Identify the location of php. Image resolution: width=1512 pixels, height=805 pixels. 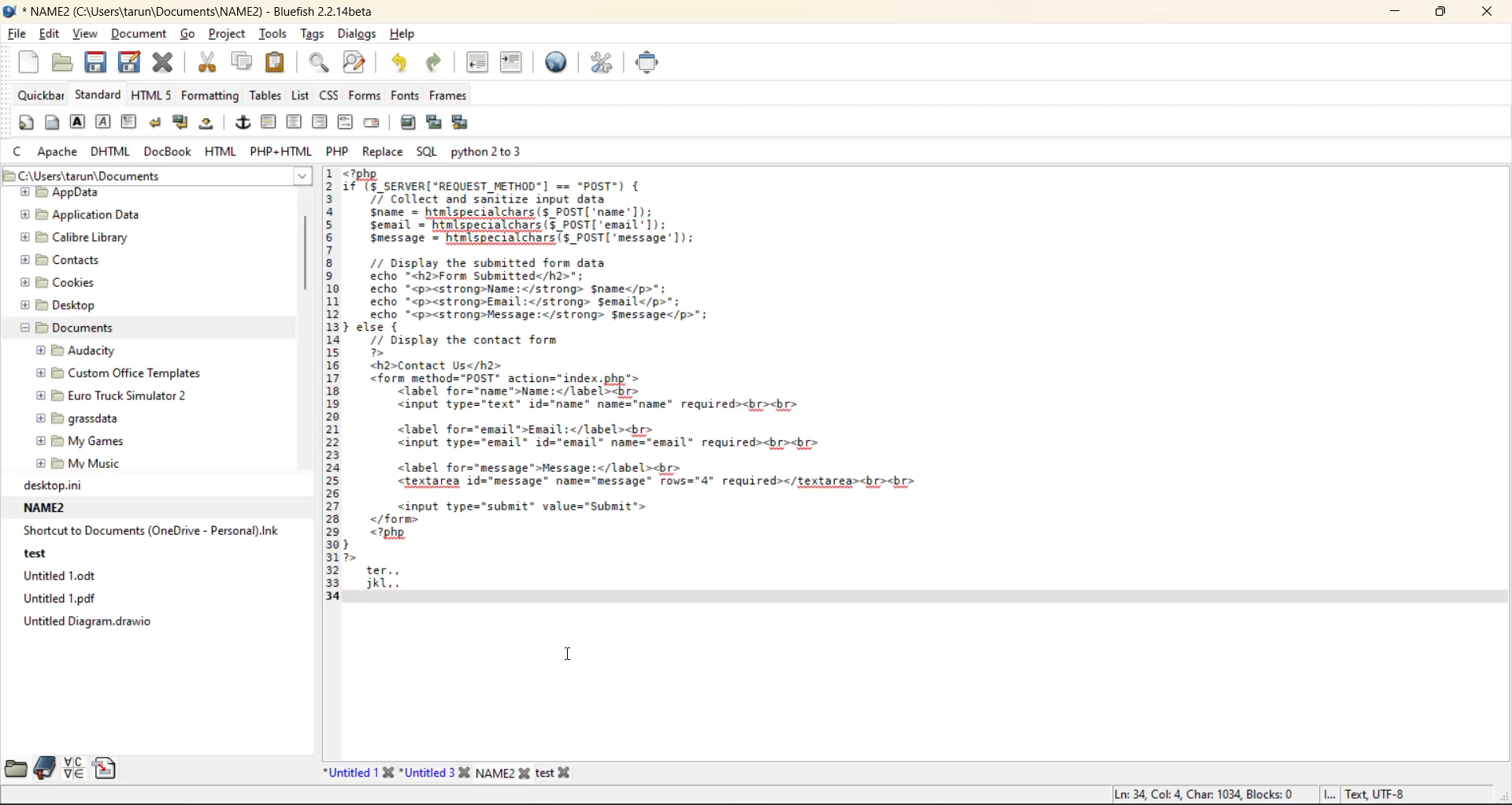
(339, 152).